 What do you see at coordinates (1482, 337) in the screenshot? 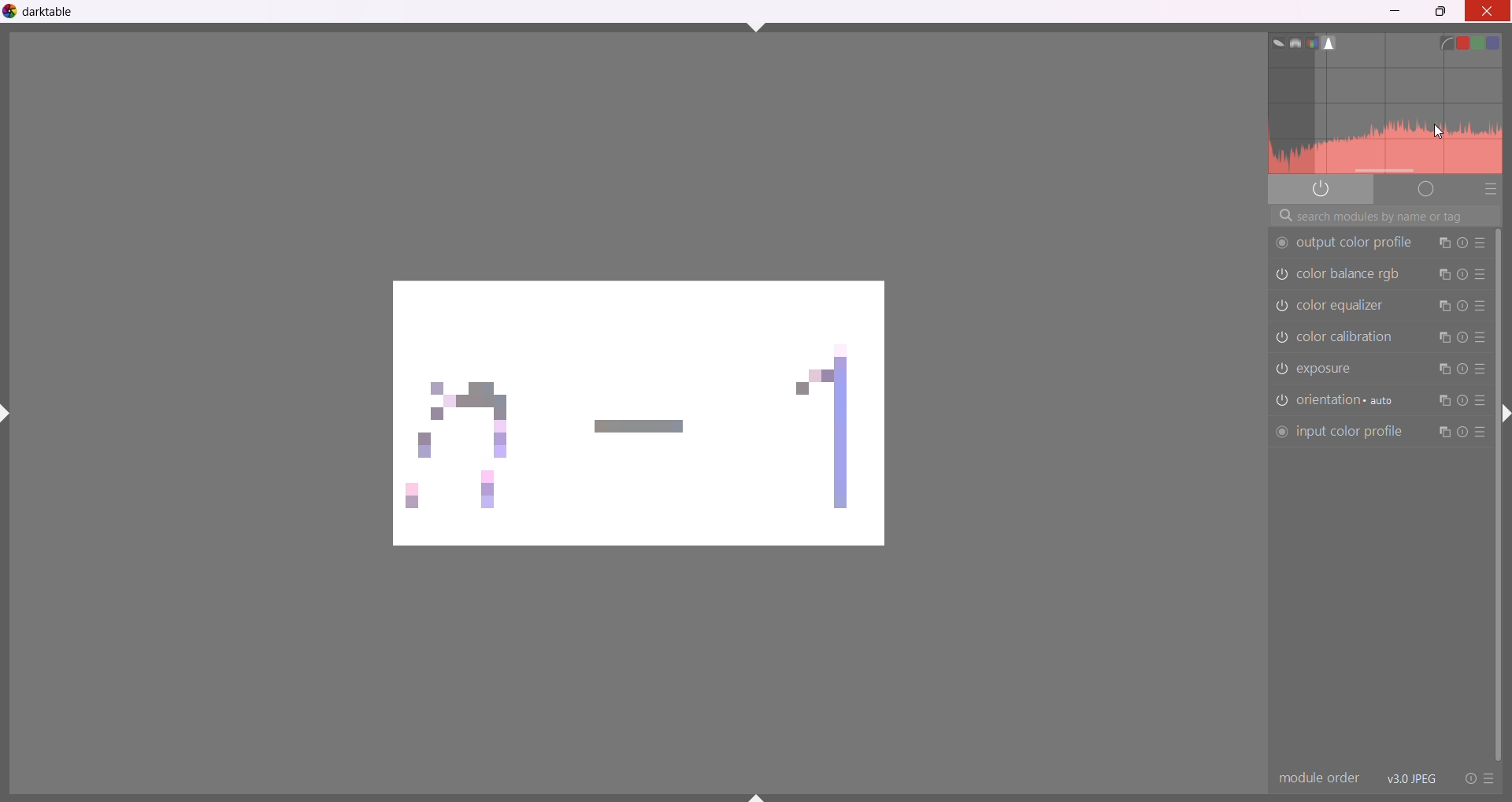
I see `presets` at bounding box center [1482, 337].